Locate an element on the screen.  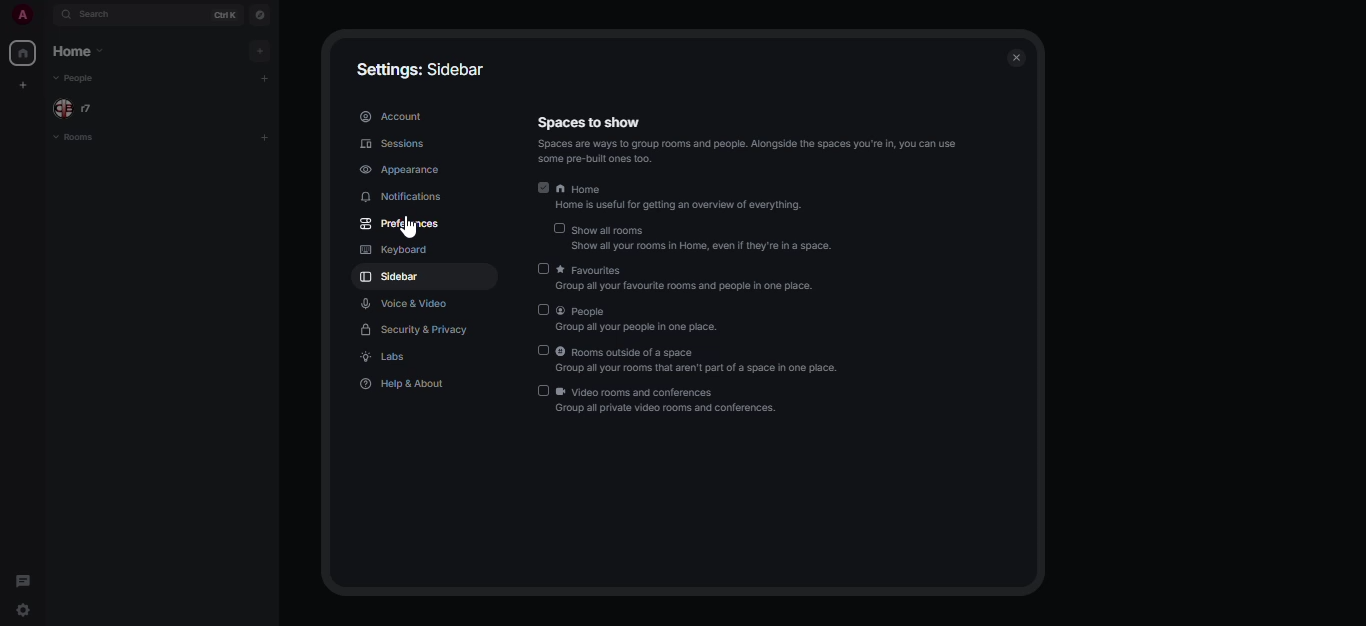
favorites is located at coordinates (688, 278).